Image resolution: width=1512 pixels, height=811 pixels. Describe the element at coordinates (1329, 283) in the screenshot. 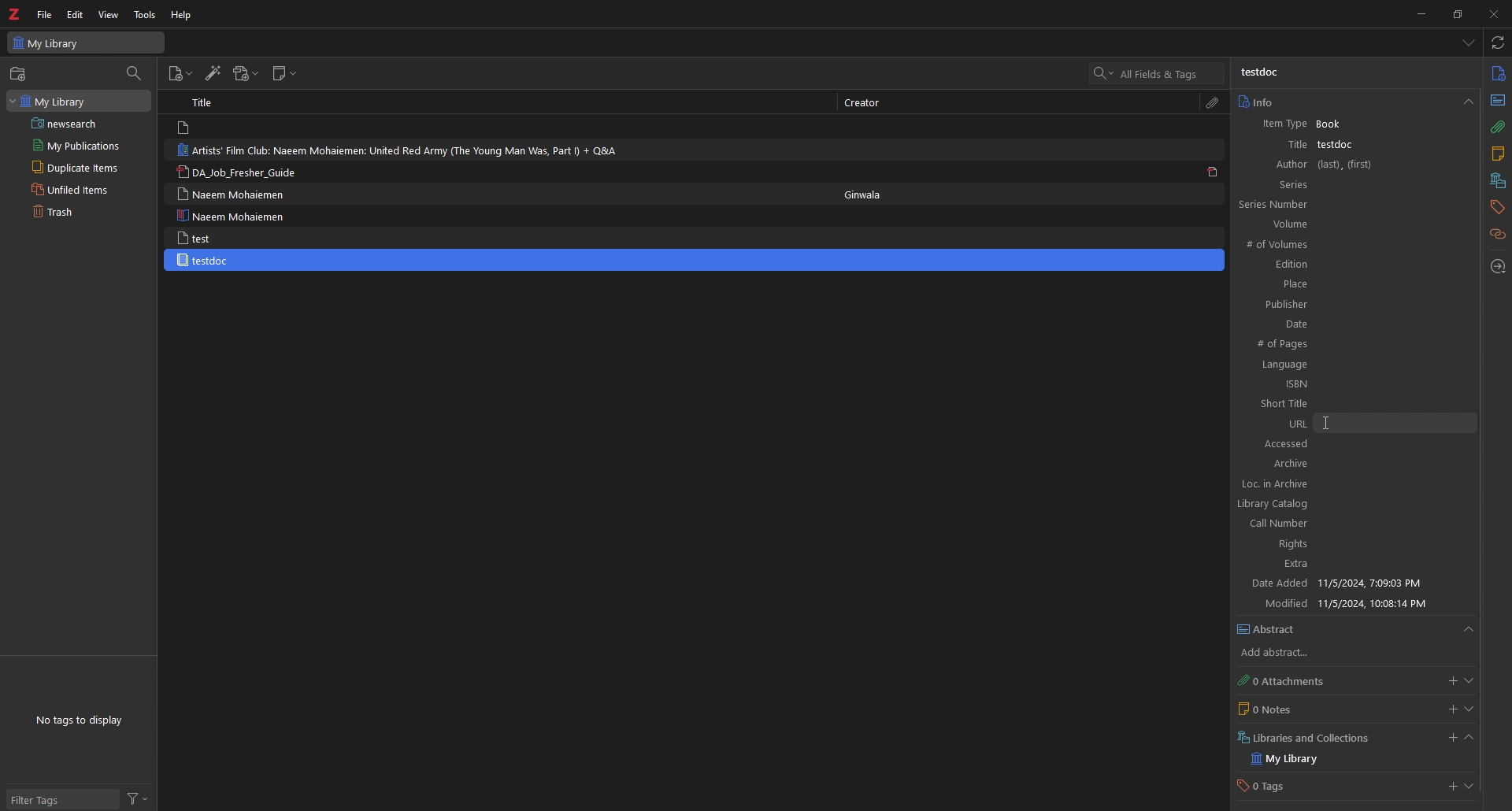

I see `Place` at that location.